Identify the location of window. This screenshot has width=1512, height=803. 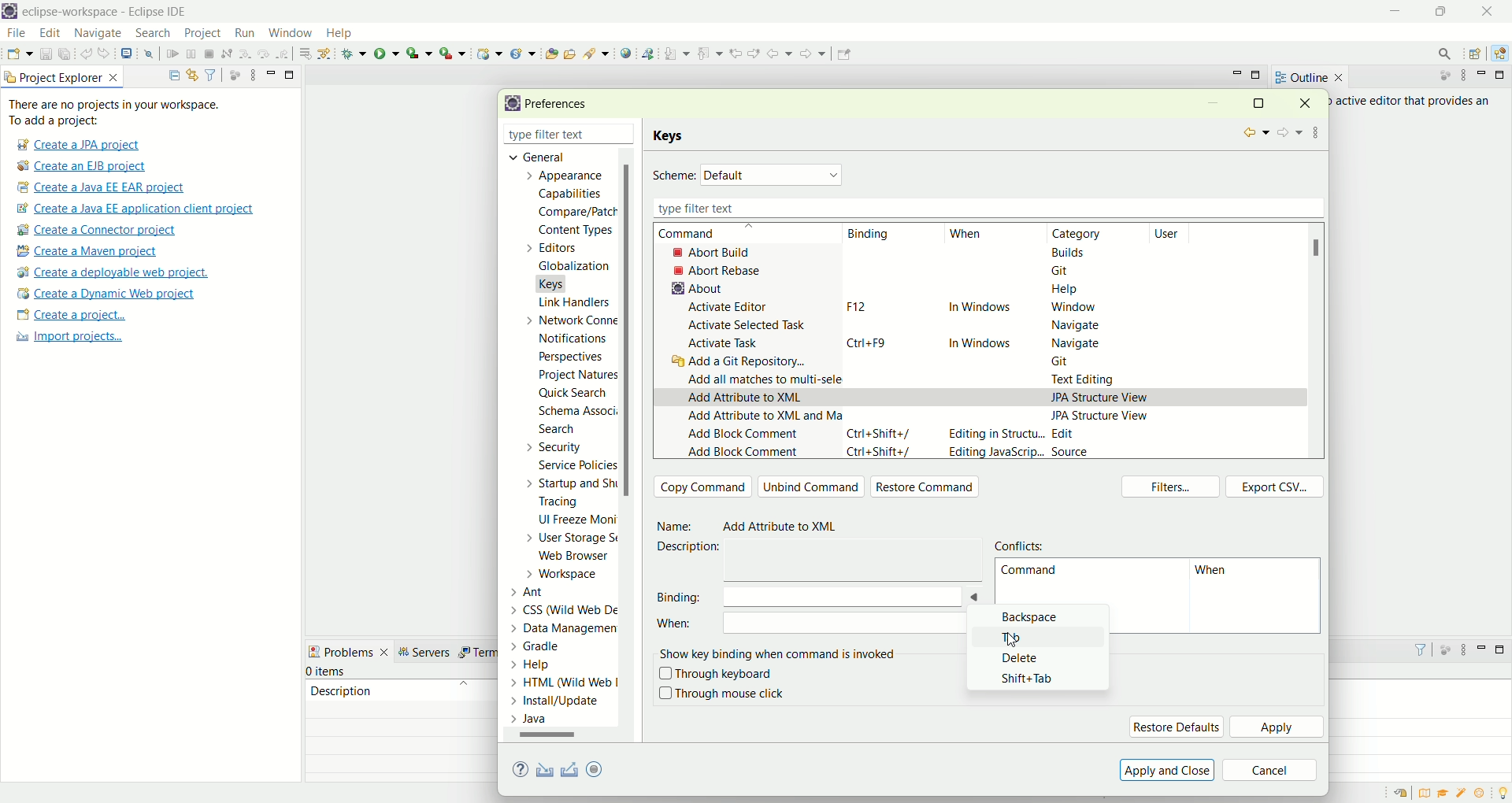
(289, 29).